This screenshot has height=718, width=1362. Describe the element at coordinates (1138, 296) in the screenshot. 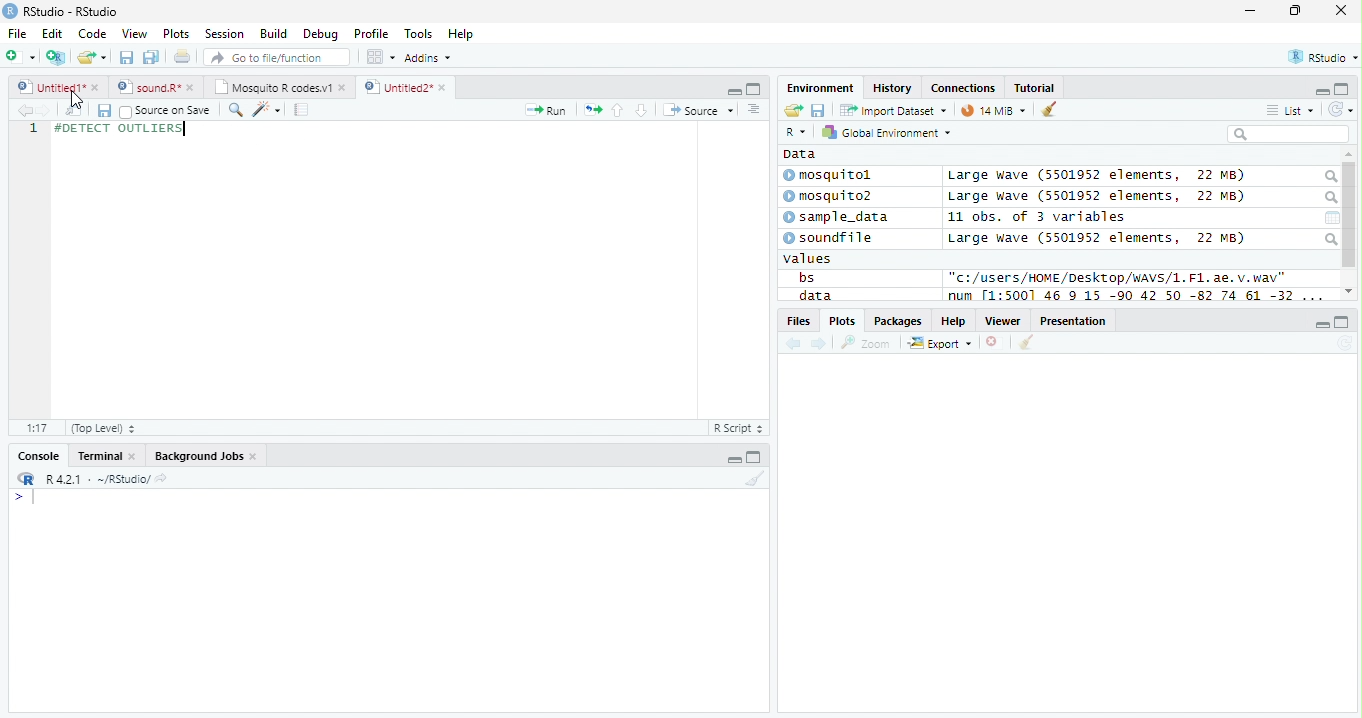

I see `num (1:5001 46 9 15 -90 42 50 -82 74 61 -32 ...` at that location.